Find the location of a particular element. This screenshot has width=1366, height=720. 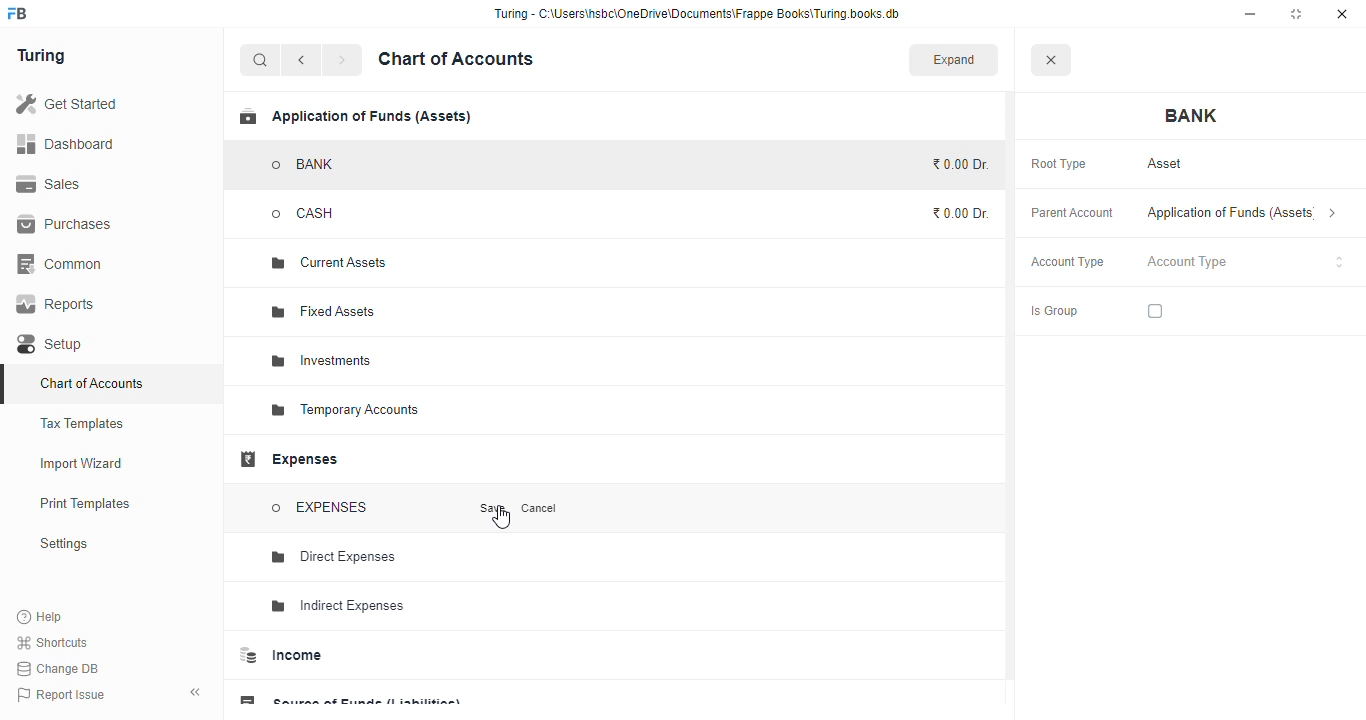

search is located at coordinates (261, 60).